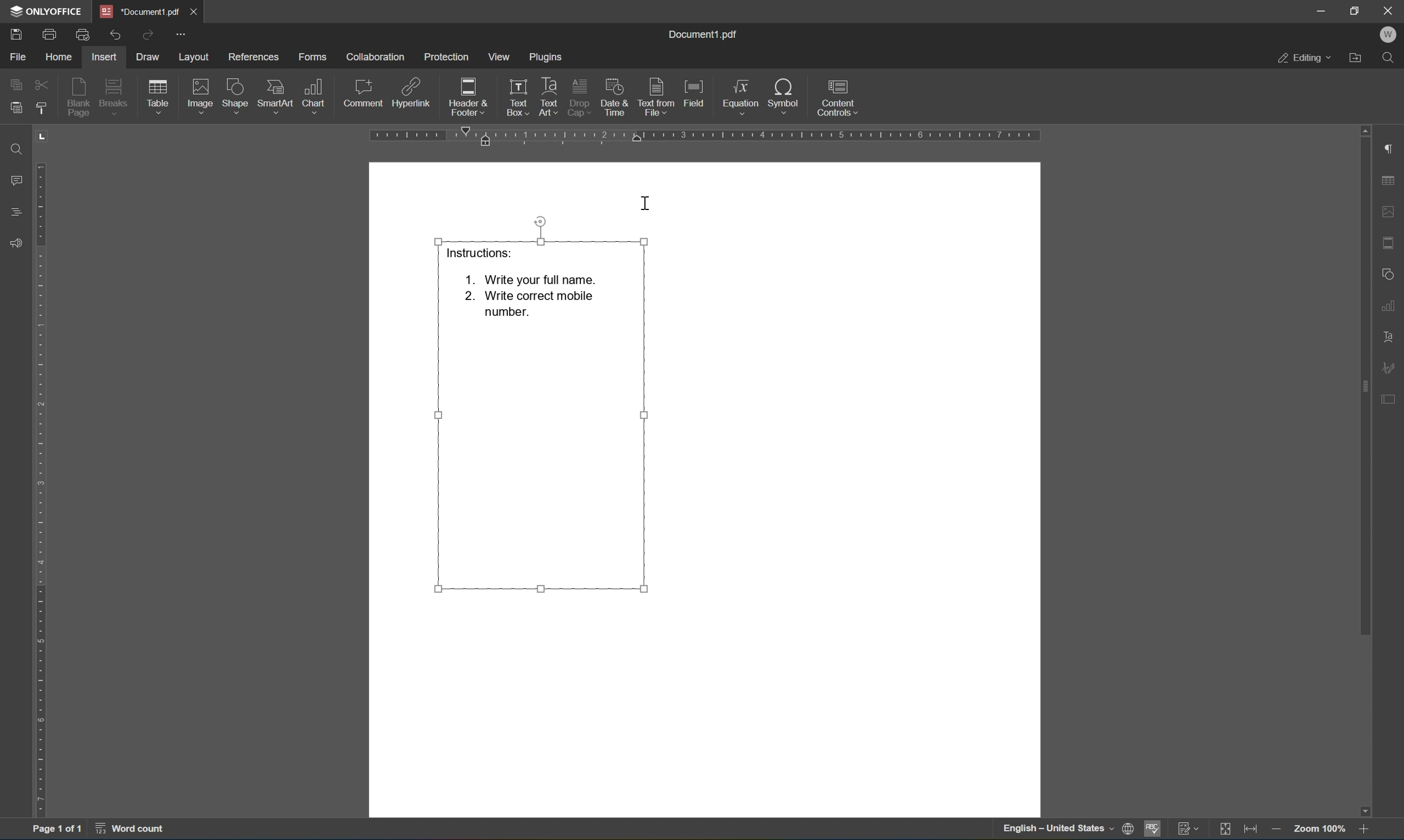 This screenshot has width=1404, height=840. What do you see at coordinates (1251, 831) in the screenshot?
I see `fit to width ` at bounding box center [1251, 831].